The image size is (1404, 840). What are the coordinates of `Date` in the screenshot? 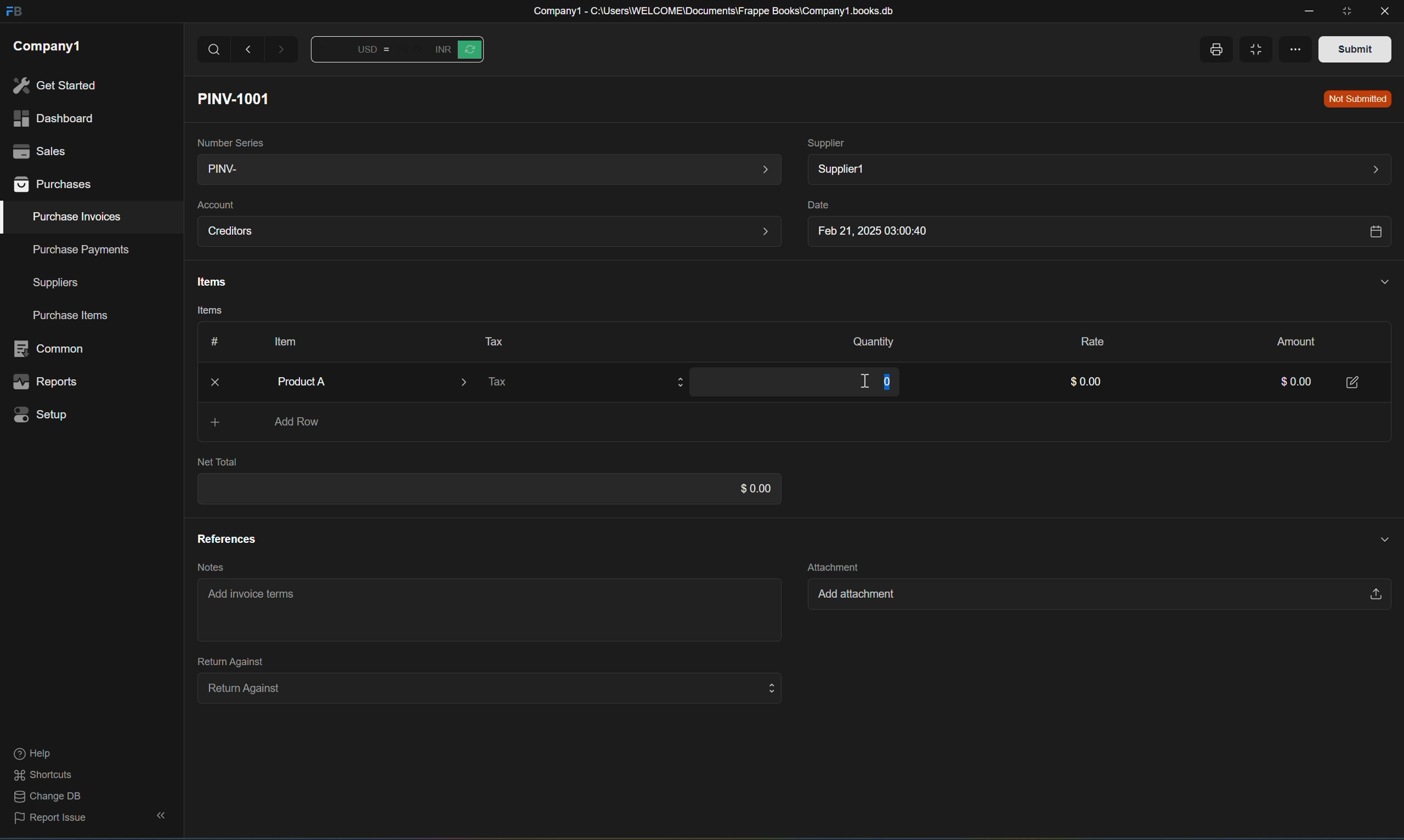 It's located at (815, 205).